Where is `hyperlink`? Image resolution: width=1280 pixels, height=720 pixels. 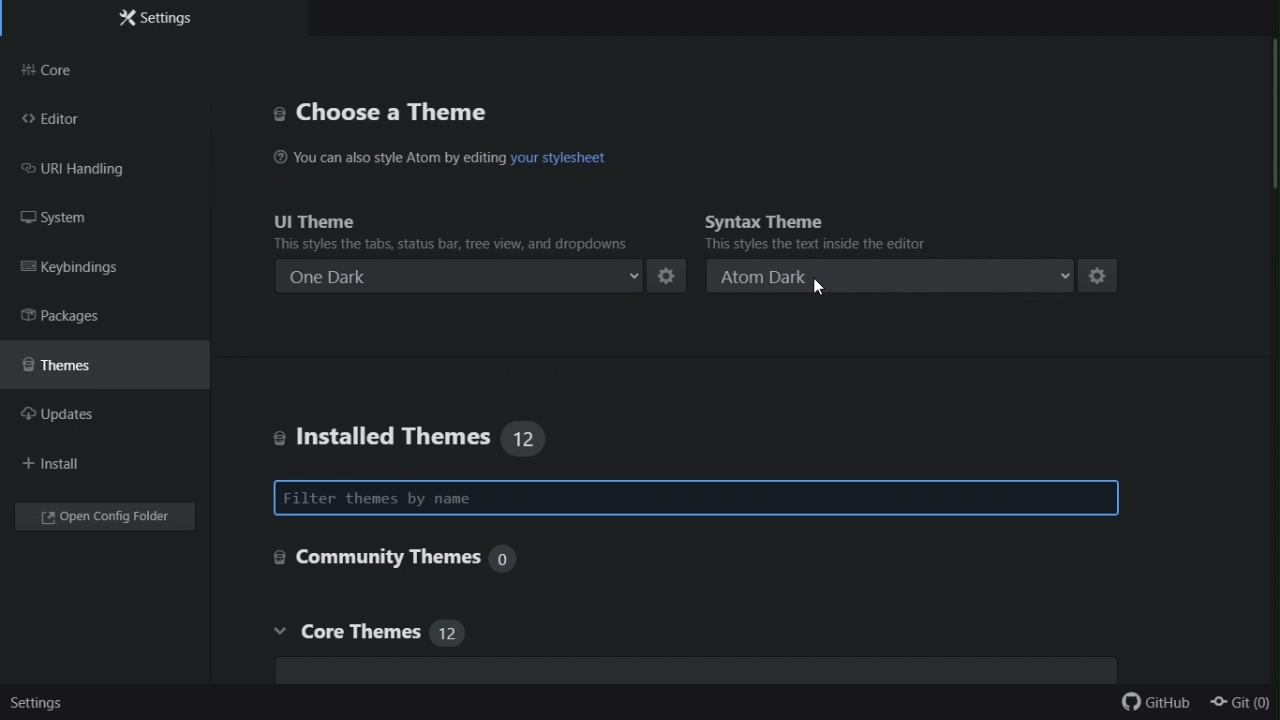 hyperlink is located at coordinates (579, 163).